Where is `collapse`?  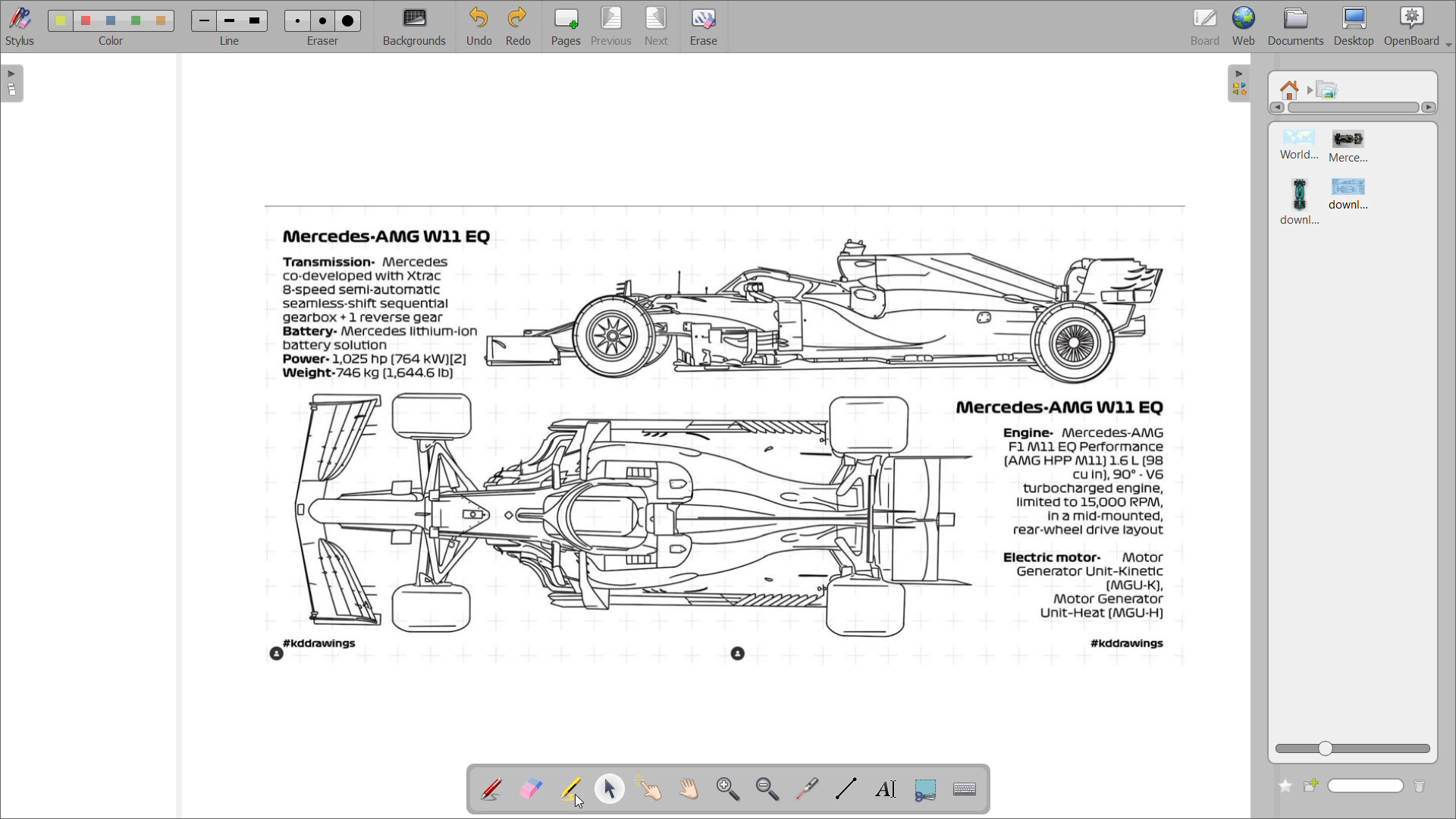 collapse is located at coordinates (1238, 84).